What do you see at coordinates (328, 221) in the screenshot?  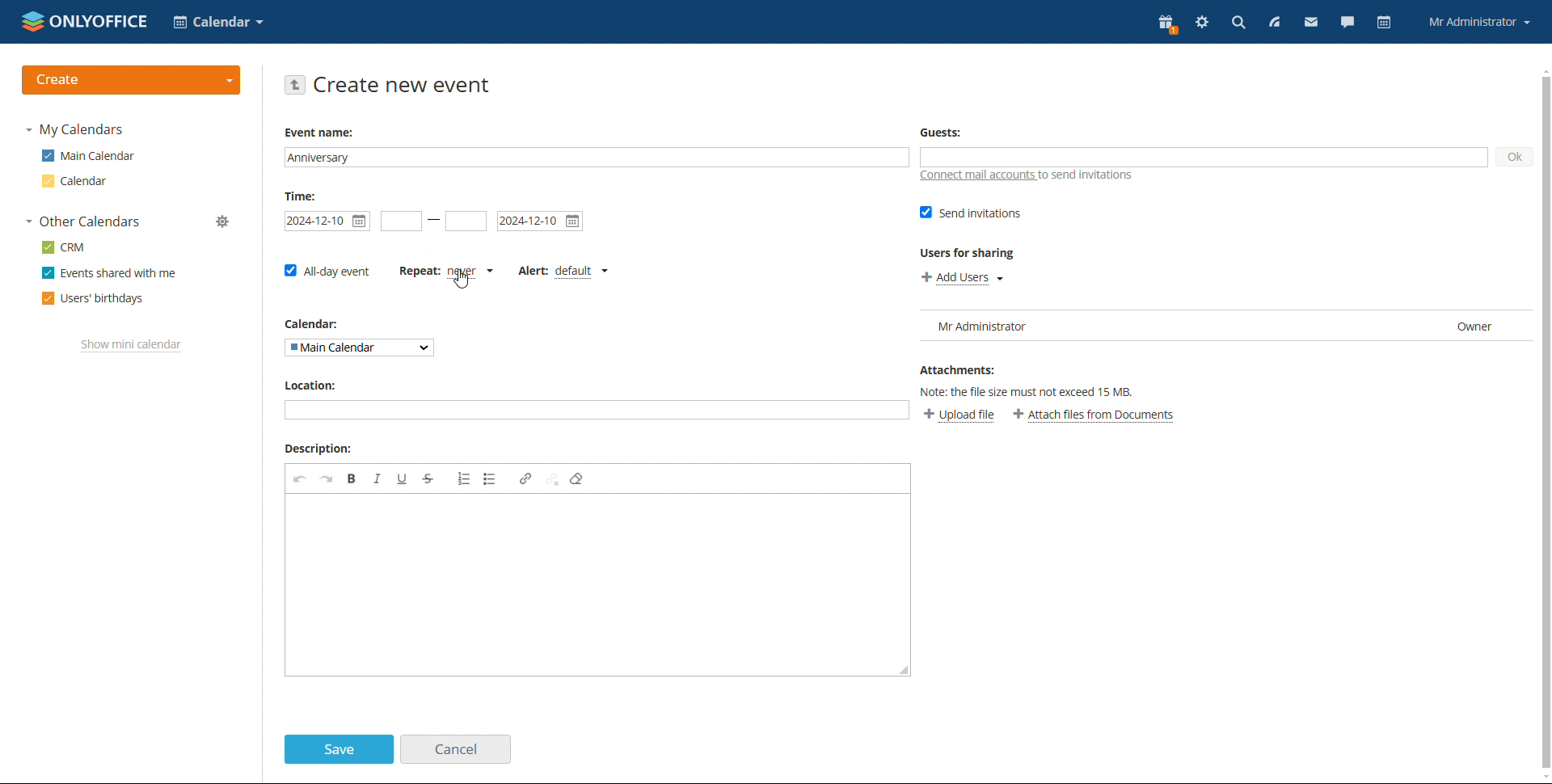 I see `start time` at bounding box center [328, 221].